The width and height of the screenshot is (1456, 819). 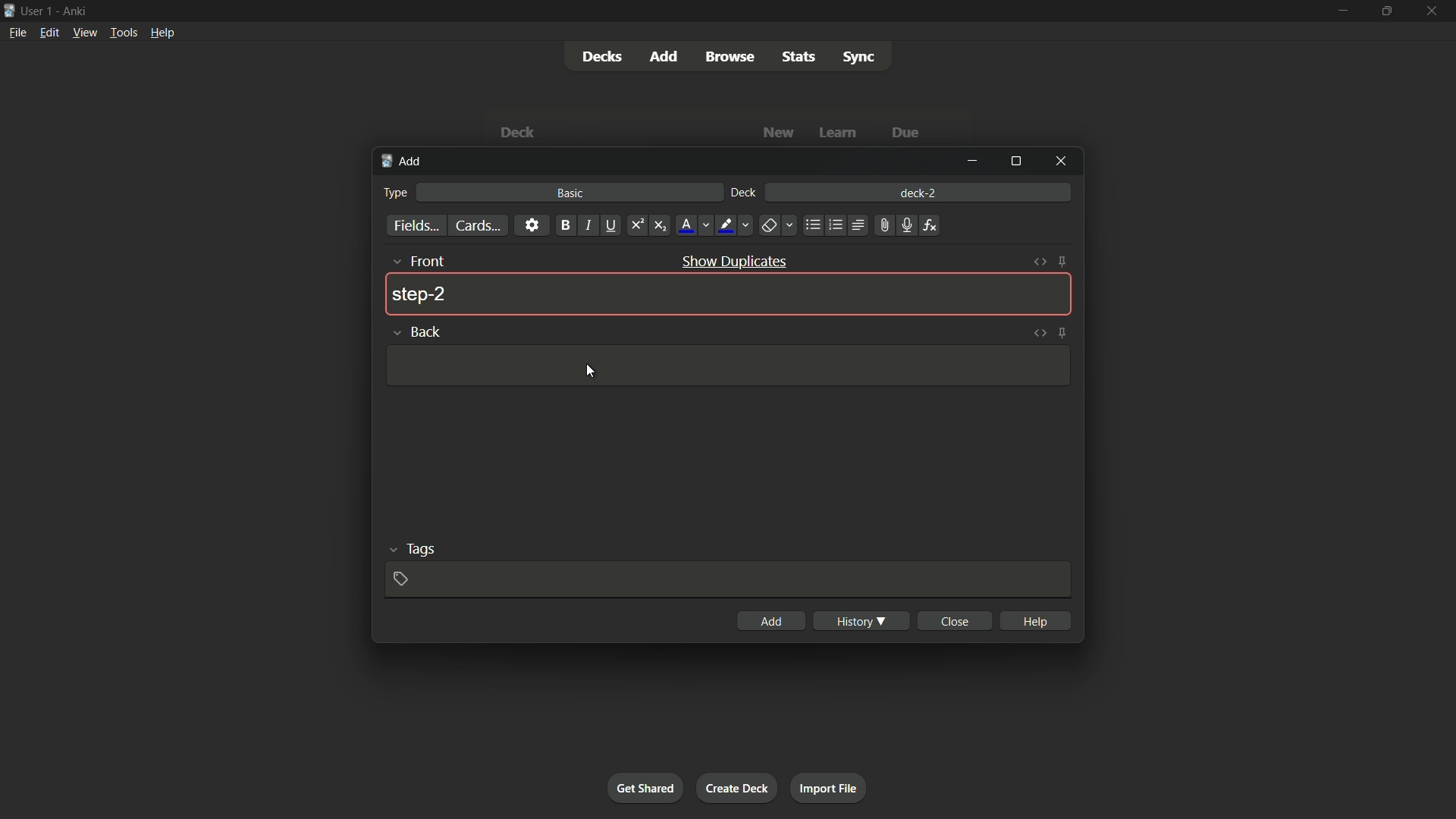 What do you see at coordinates (735, 226) in the screenshot?
I see `highlight text` at bounding box center [735, 226].